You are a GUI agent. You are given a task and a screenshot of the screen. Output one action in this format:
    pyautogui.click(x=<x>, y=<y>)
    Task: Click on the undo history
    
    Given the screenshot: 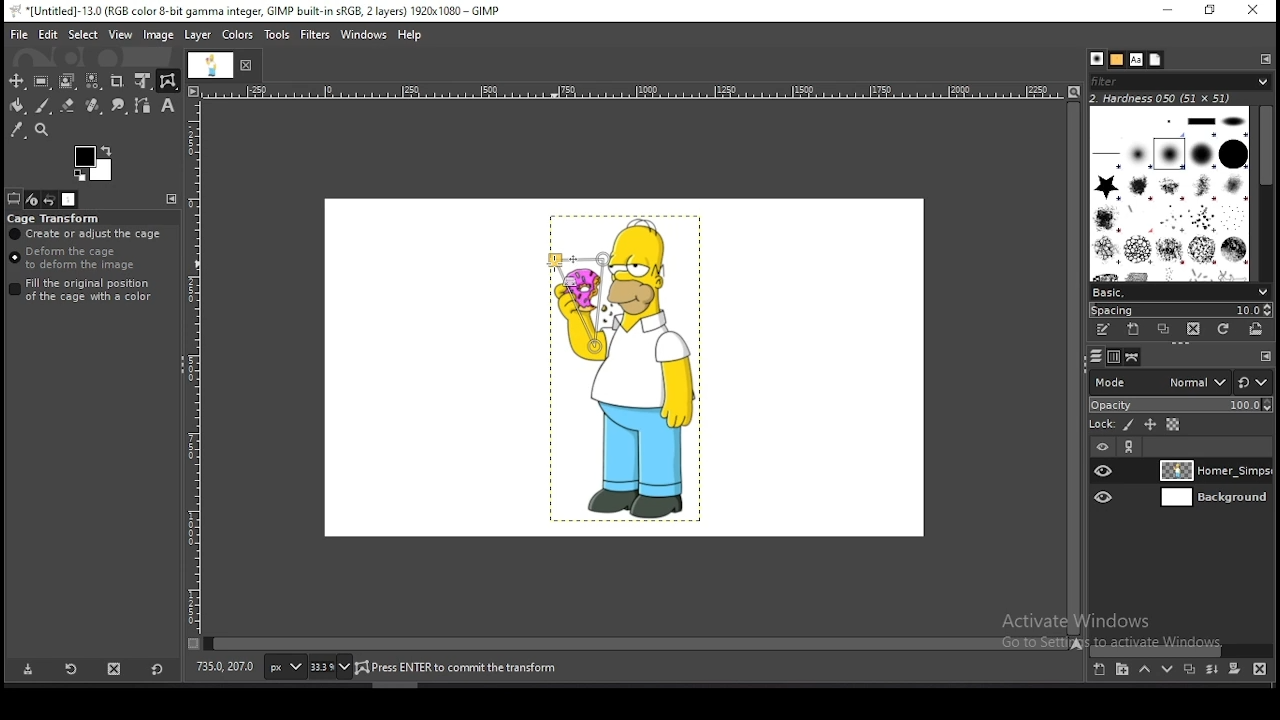 What is the action you would take?
    pyautogui.click(x=50, y=199)
    